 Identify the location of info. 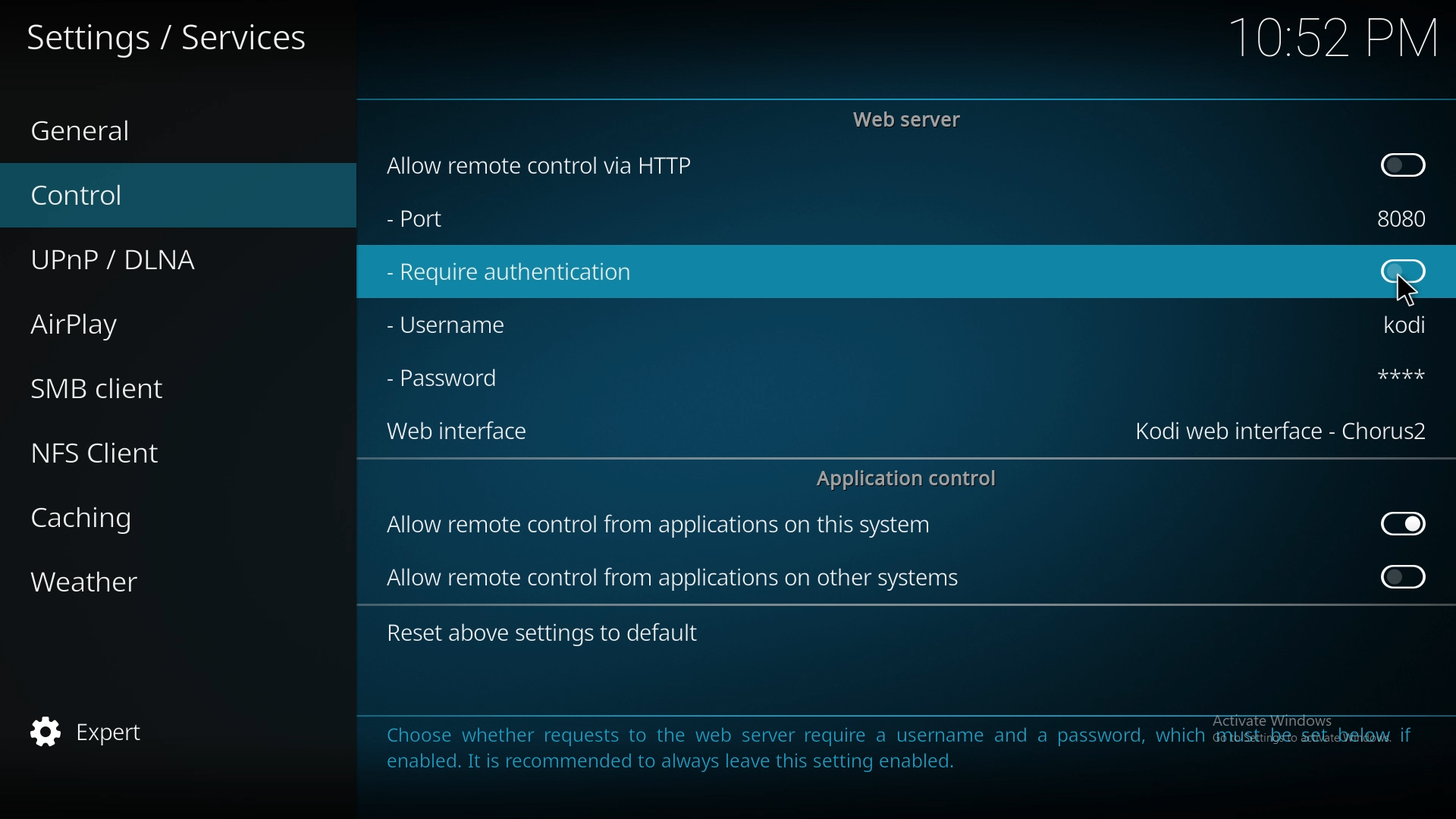
(896, 747).